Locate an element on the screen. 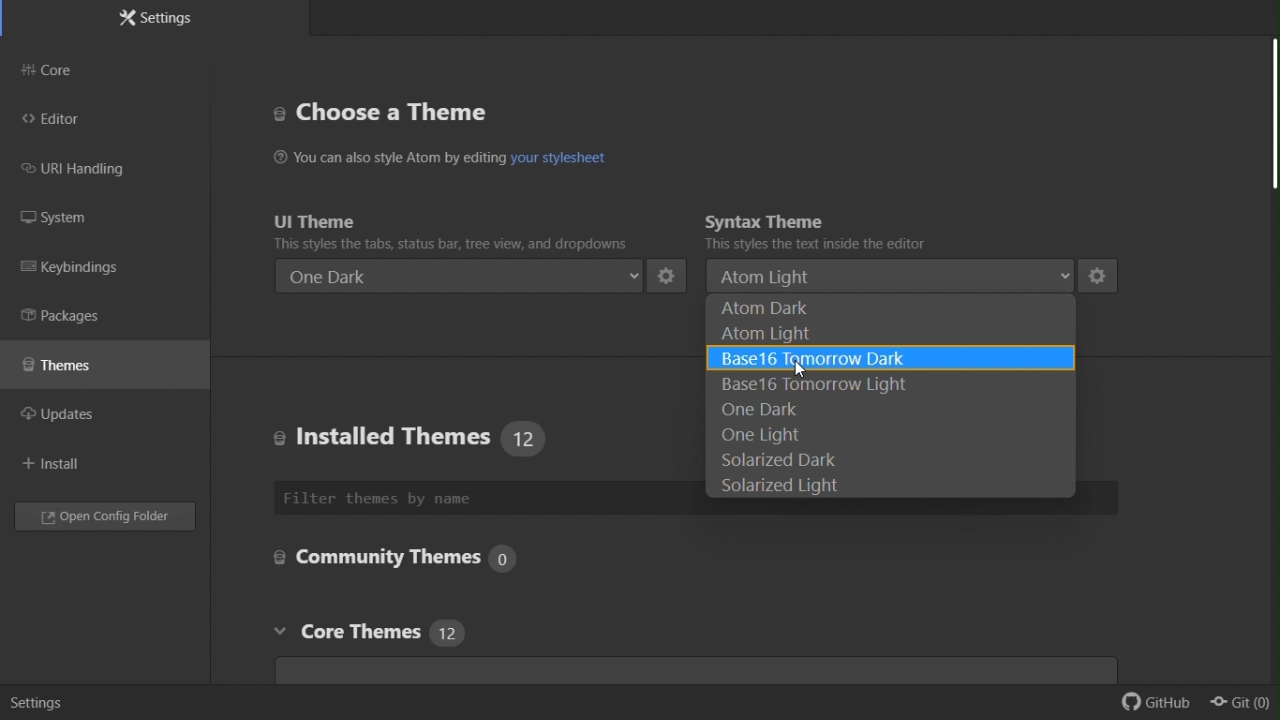 This screenshot has width=1280, height=720. atom light is located at coordinates (891, 277).